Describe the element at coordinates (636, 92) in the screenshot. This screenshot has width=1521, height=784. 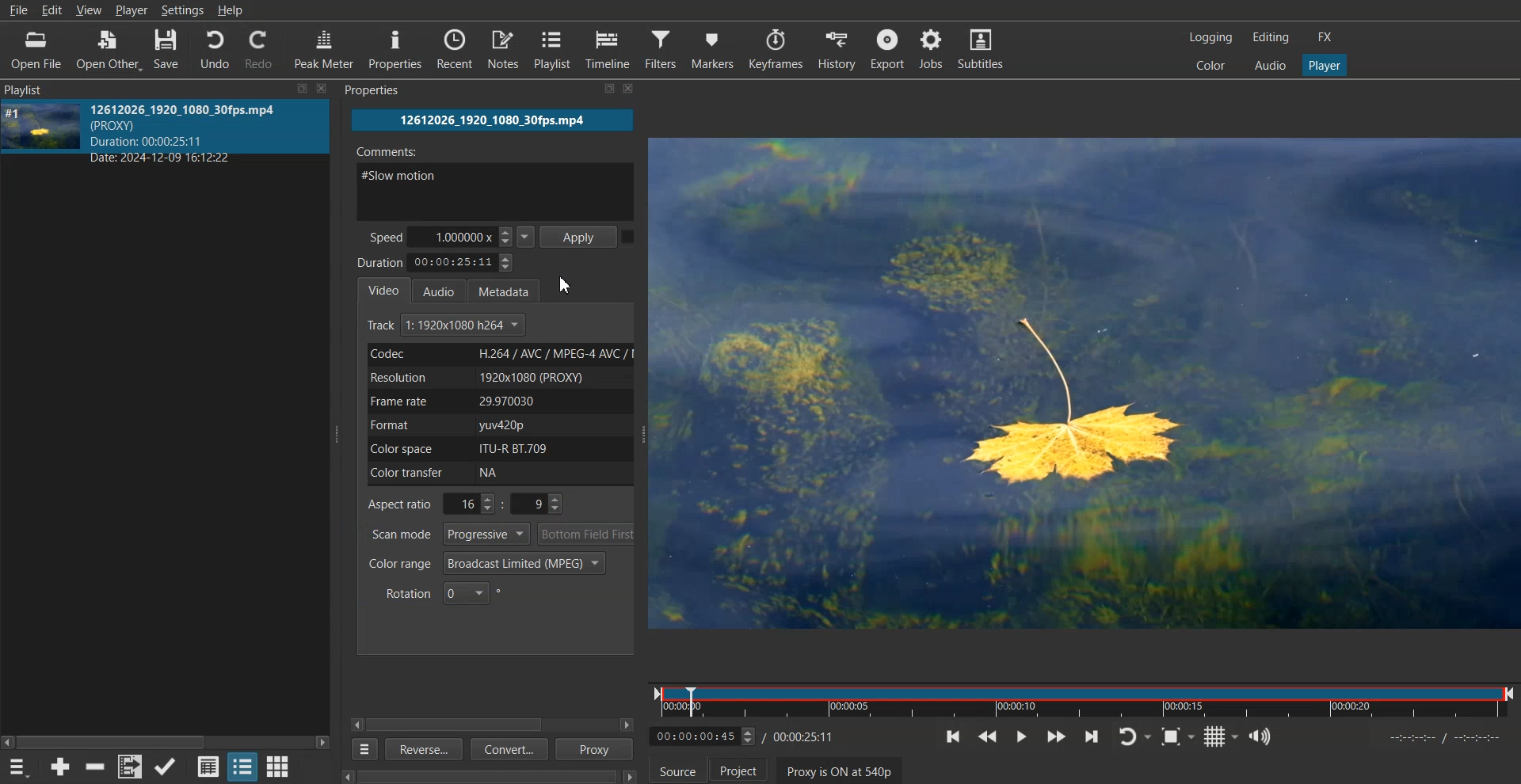
I see `close` at that location.